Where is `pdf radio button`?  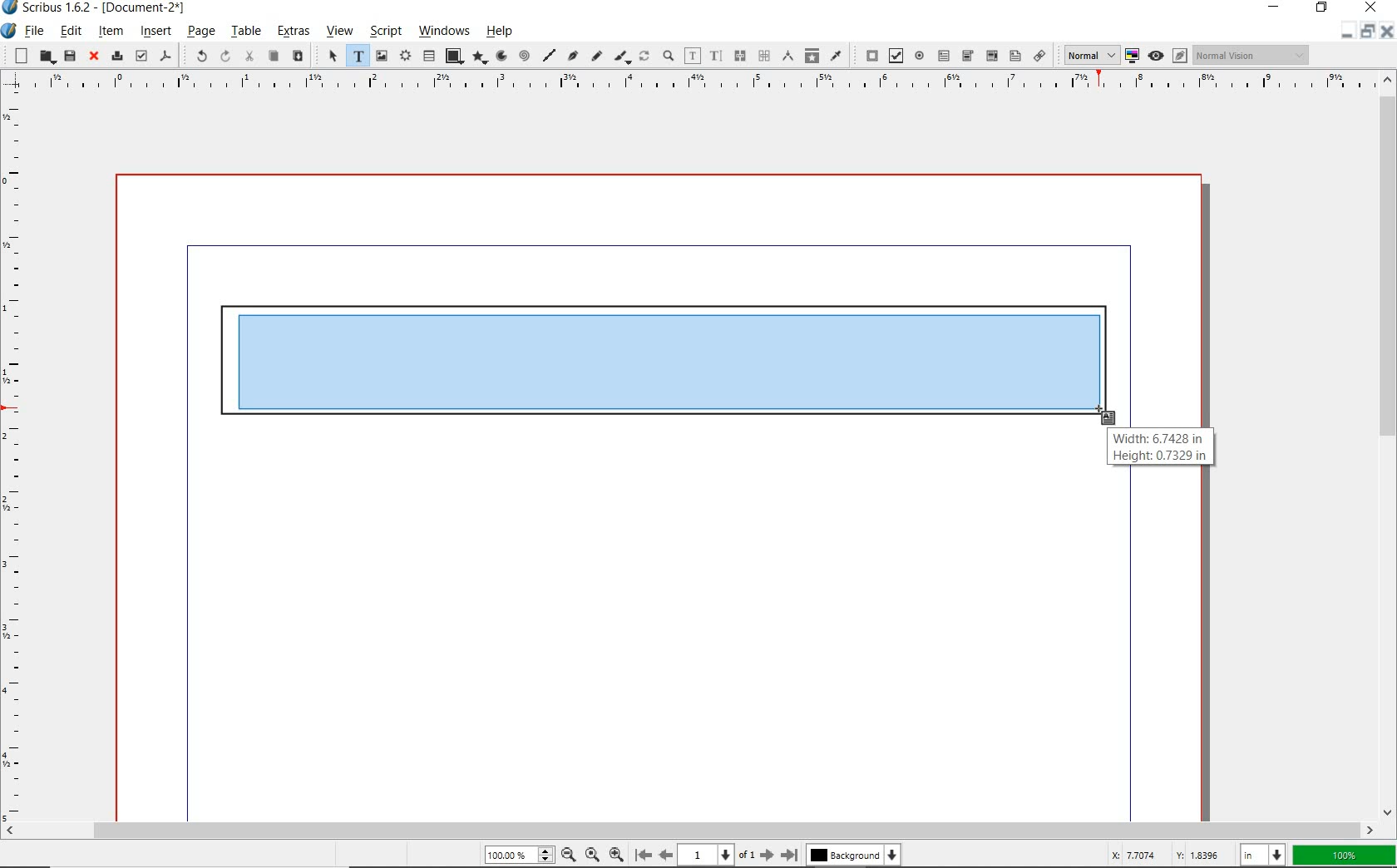
pdf radio button is located at coordinates (919, 56).